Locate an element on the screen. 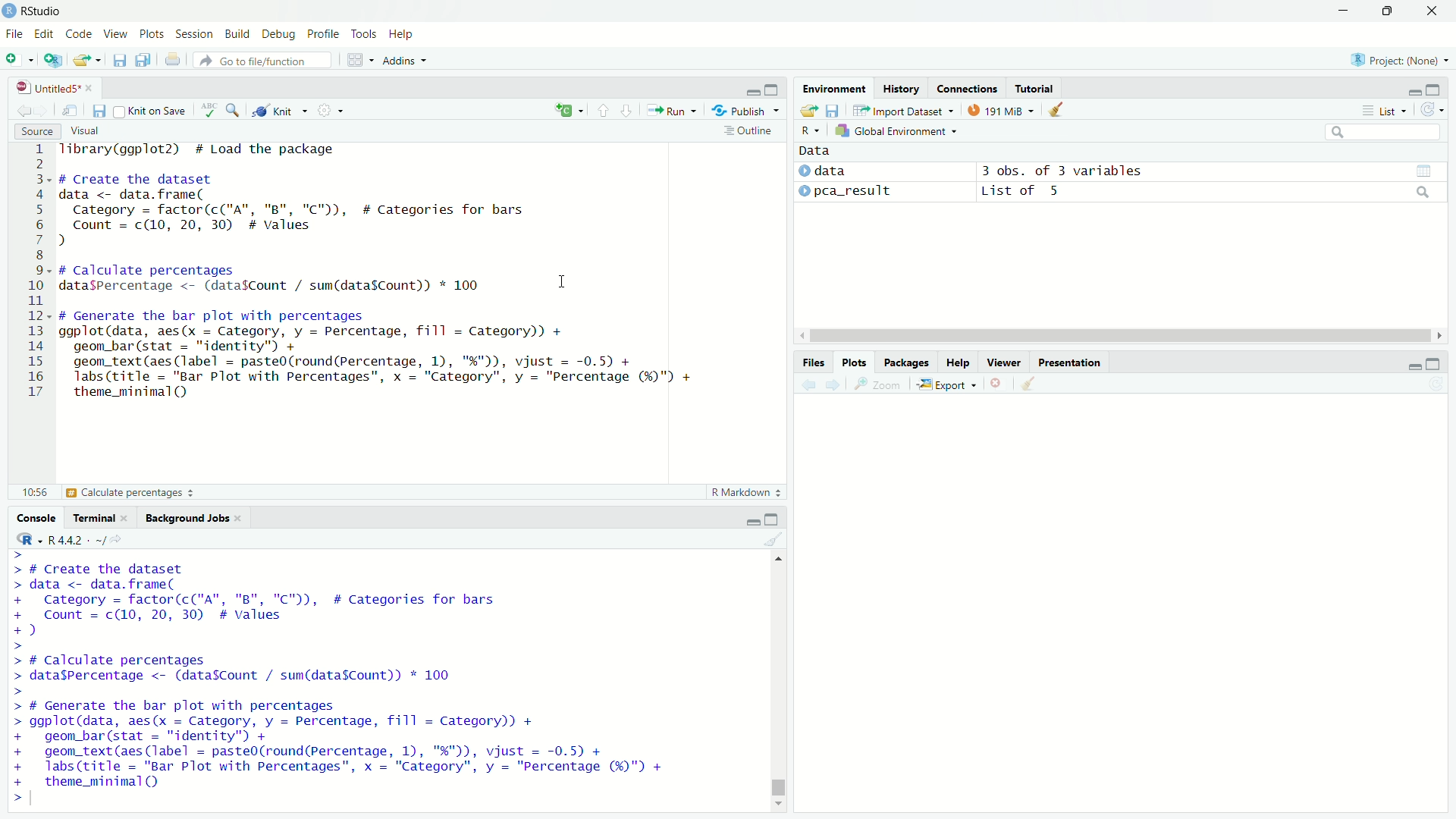 The image size is (1456, 819). R language version - R4.4.2 is located at coordinates (91, 540).